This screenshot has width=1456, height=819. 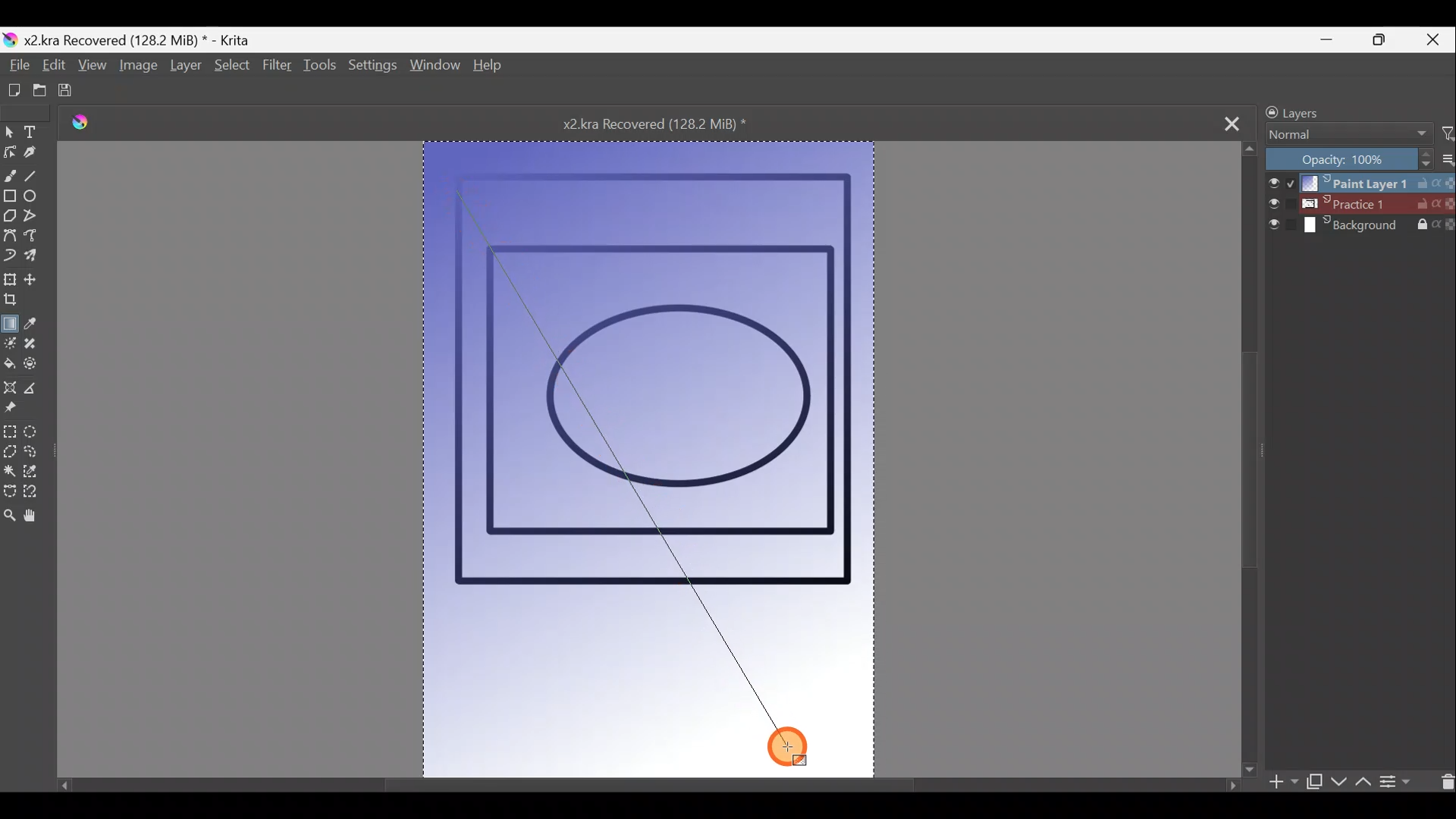 I want to click on Rectangle tool, so click(x=9, y=198).